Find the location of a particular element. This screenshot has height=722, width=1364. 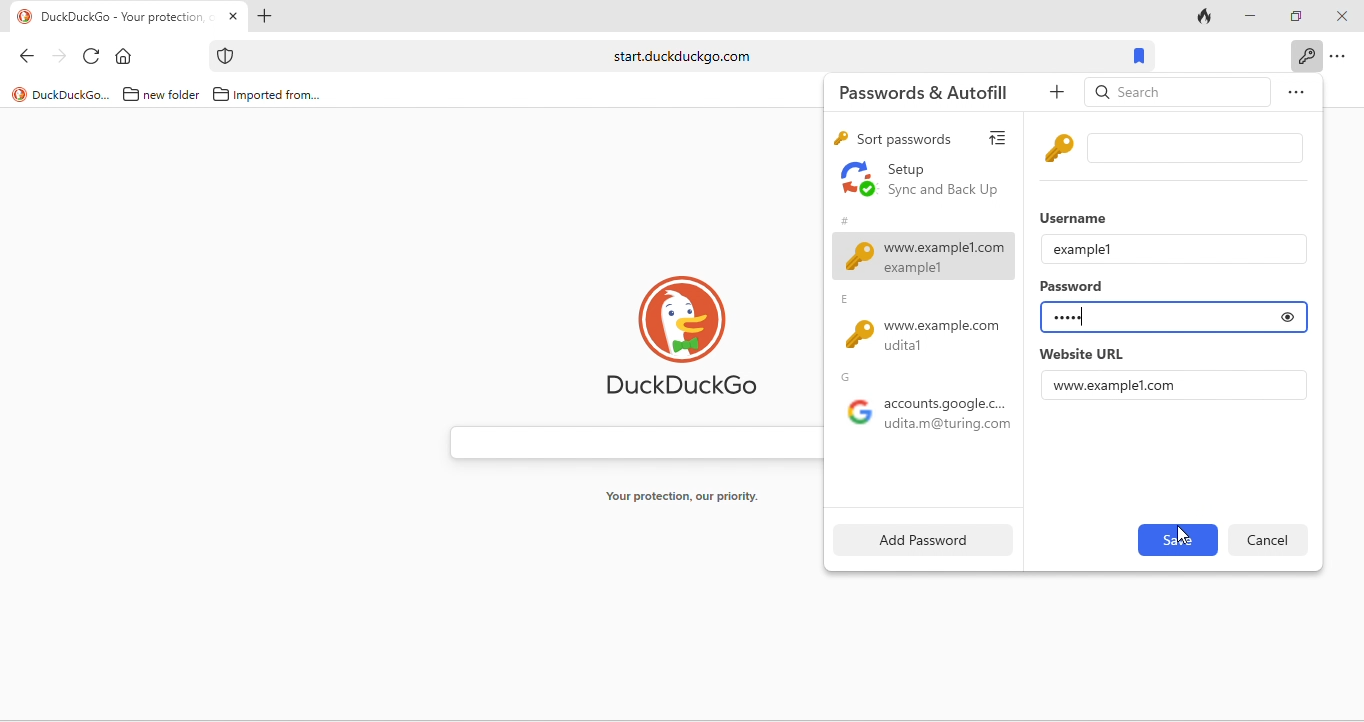

delete is located at coordinates (1268, 539).